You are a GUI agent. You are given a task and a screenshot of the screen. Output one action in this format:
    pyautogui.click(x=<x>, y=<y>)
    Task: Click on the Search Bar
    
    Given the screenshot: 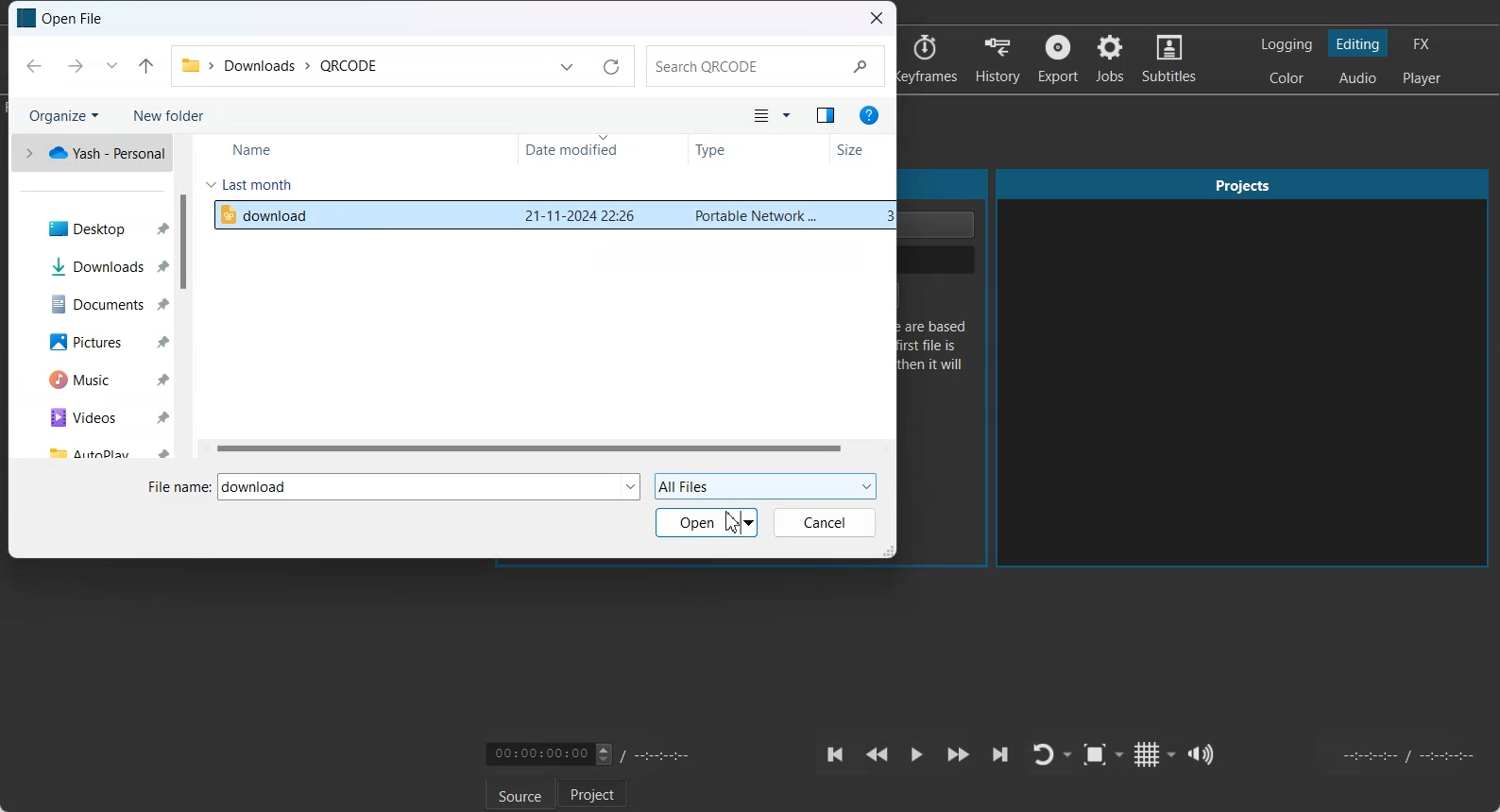 What is the action you would take?
    pyautogui.click(x=766, y=65)
    